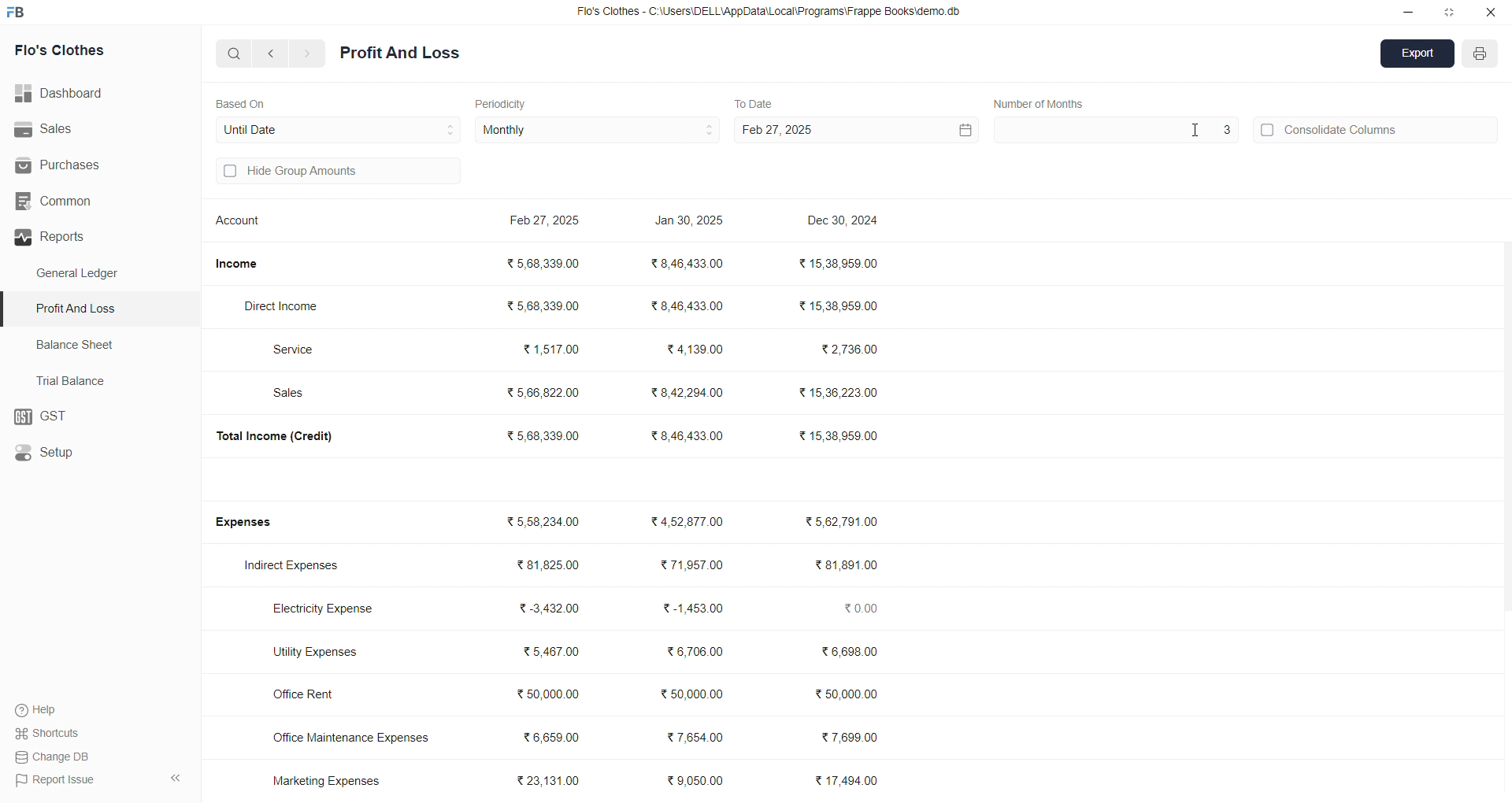 The image size is (1512, 803). What do you see at coordinates (598, 131) in the screenshot?
I see `Monthly` at bounding box center [598, 131].